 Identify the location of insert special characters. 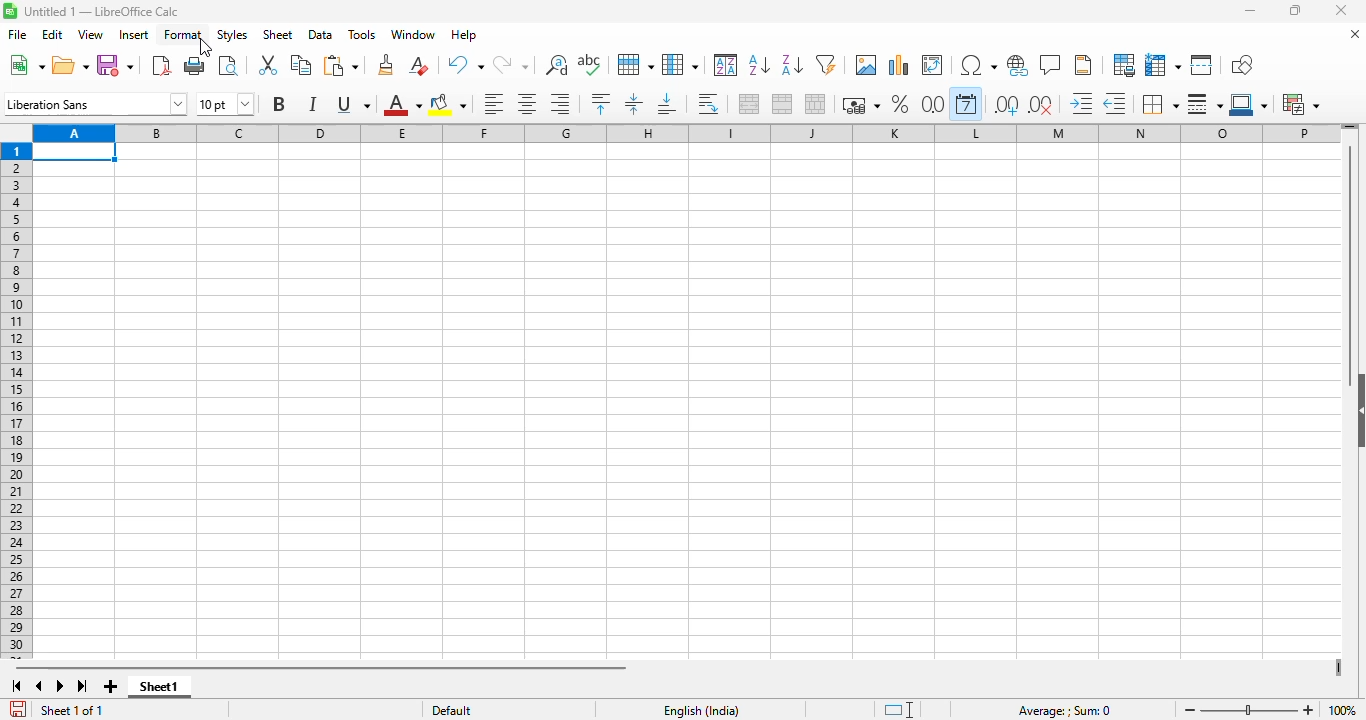
(979, 65).